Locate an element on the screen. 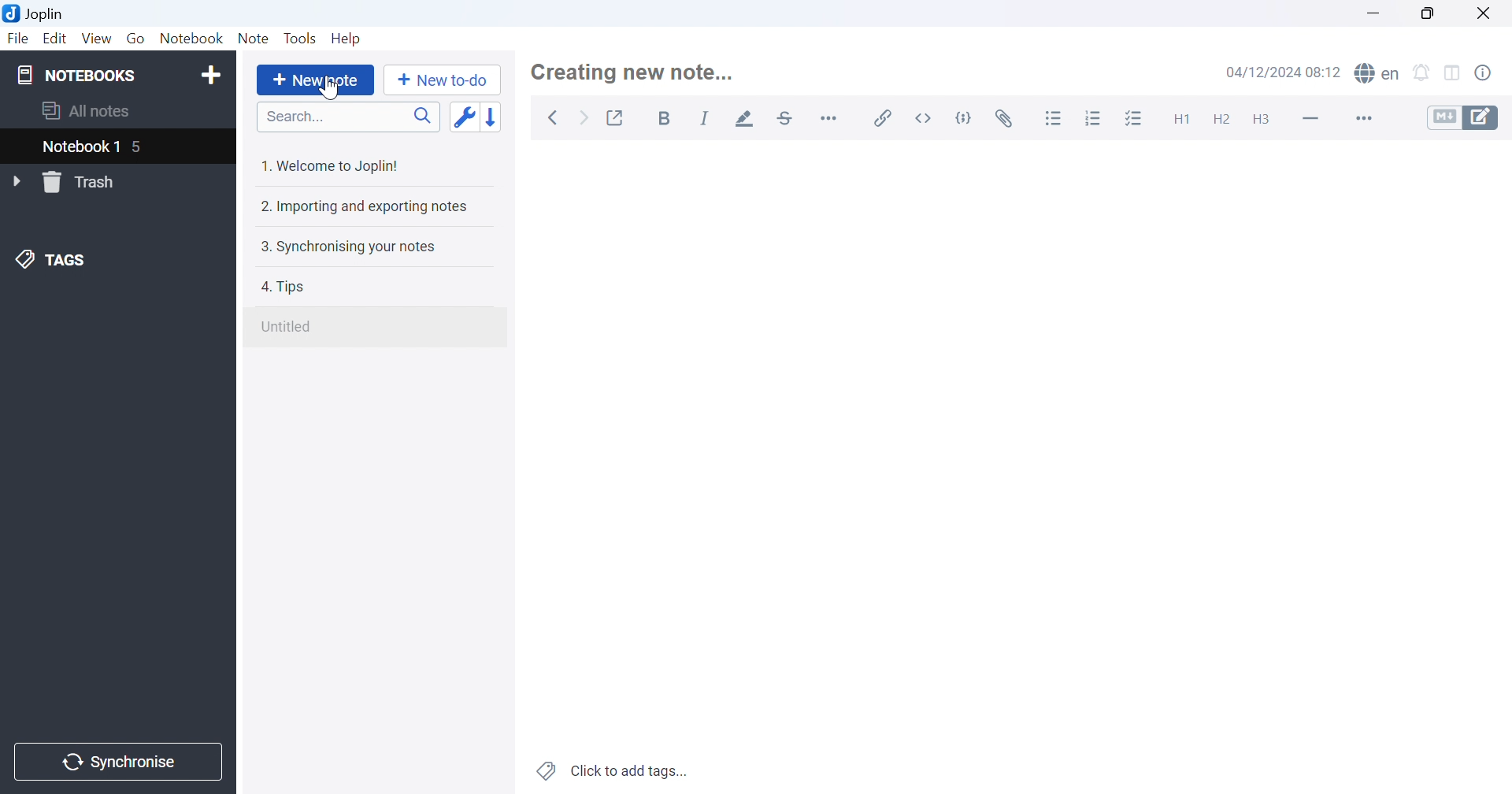 The image size is (1512, 794). Trash is located at coordinates (81, 182).